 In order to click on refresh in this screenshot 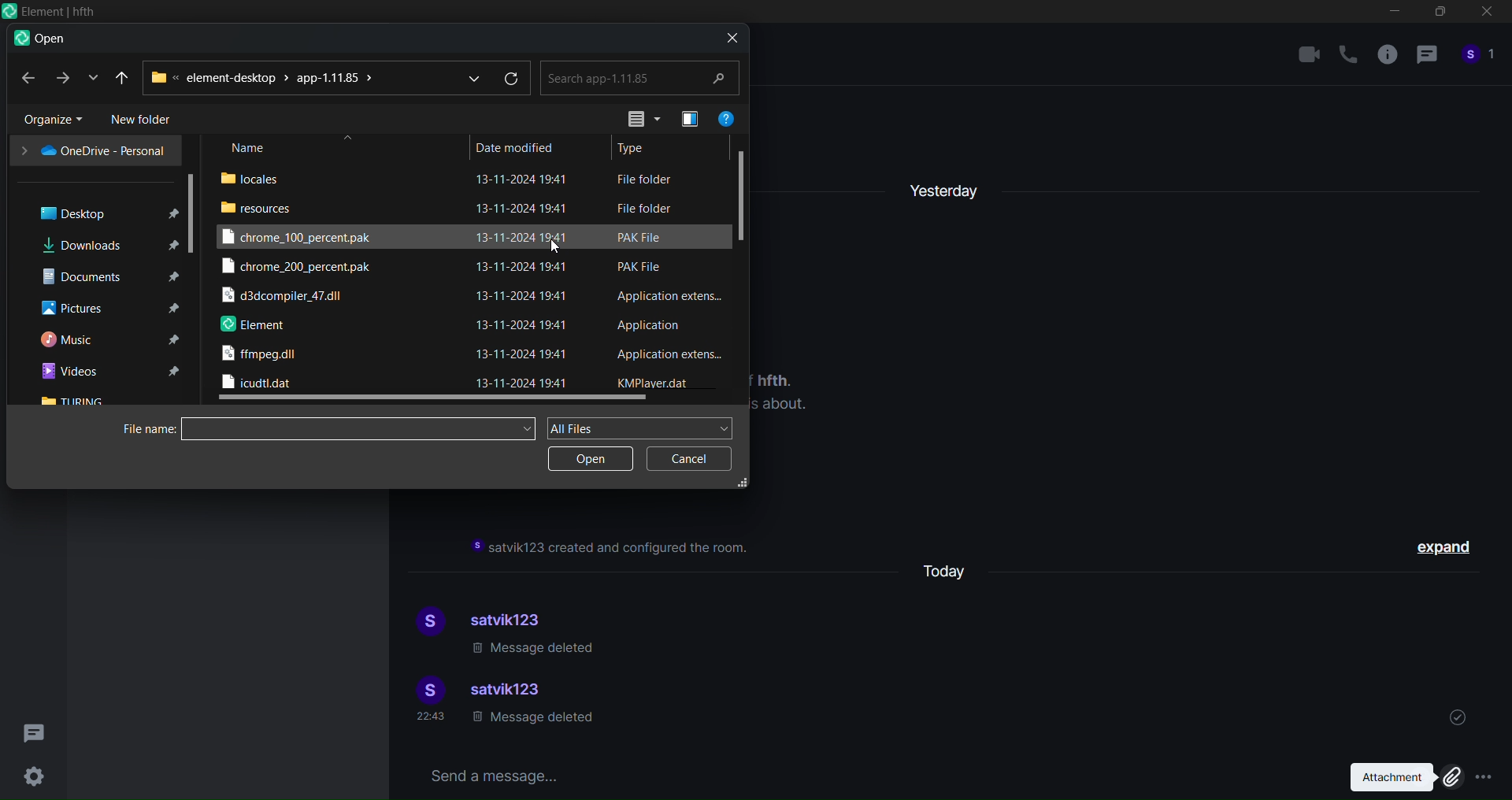, I will do `click(513, 79)`.